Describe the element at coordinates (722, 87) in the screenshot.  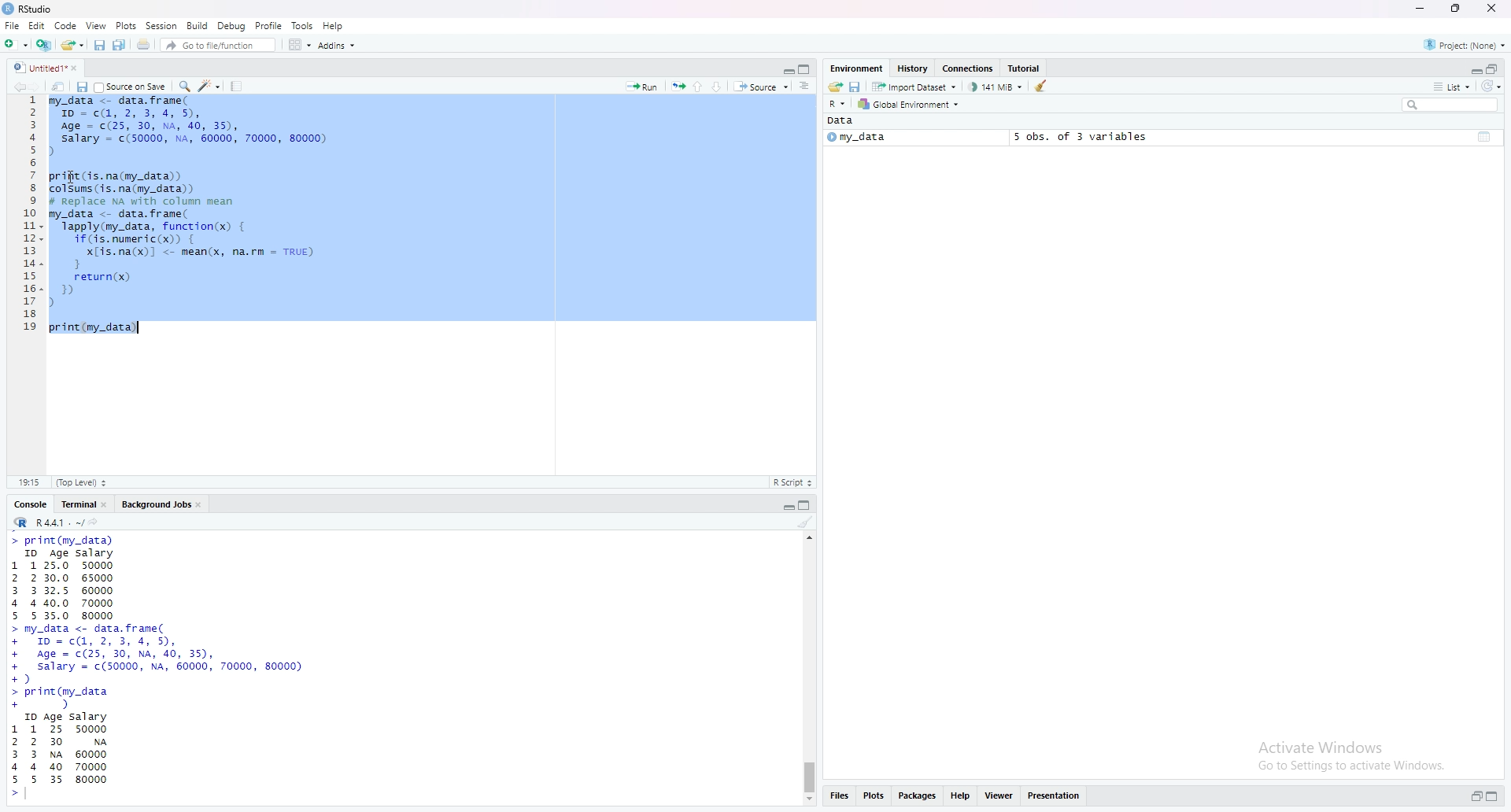
I see `go to the next section` at that location.